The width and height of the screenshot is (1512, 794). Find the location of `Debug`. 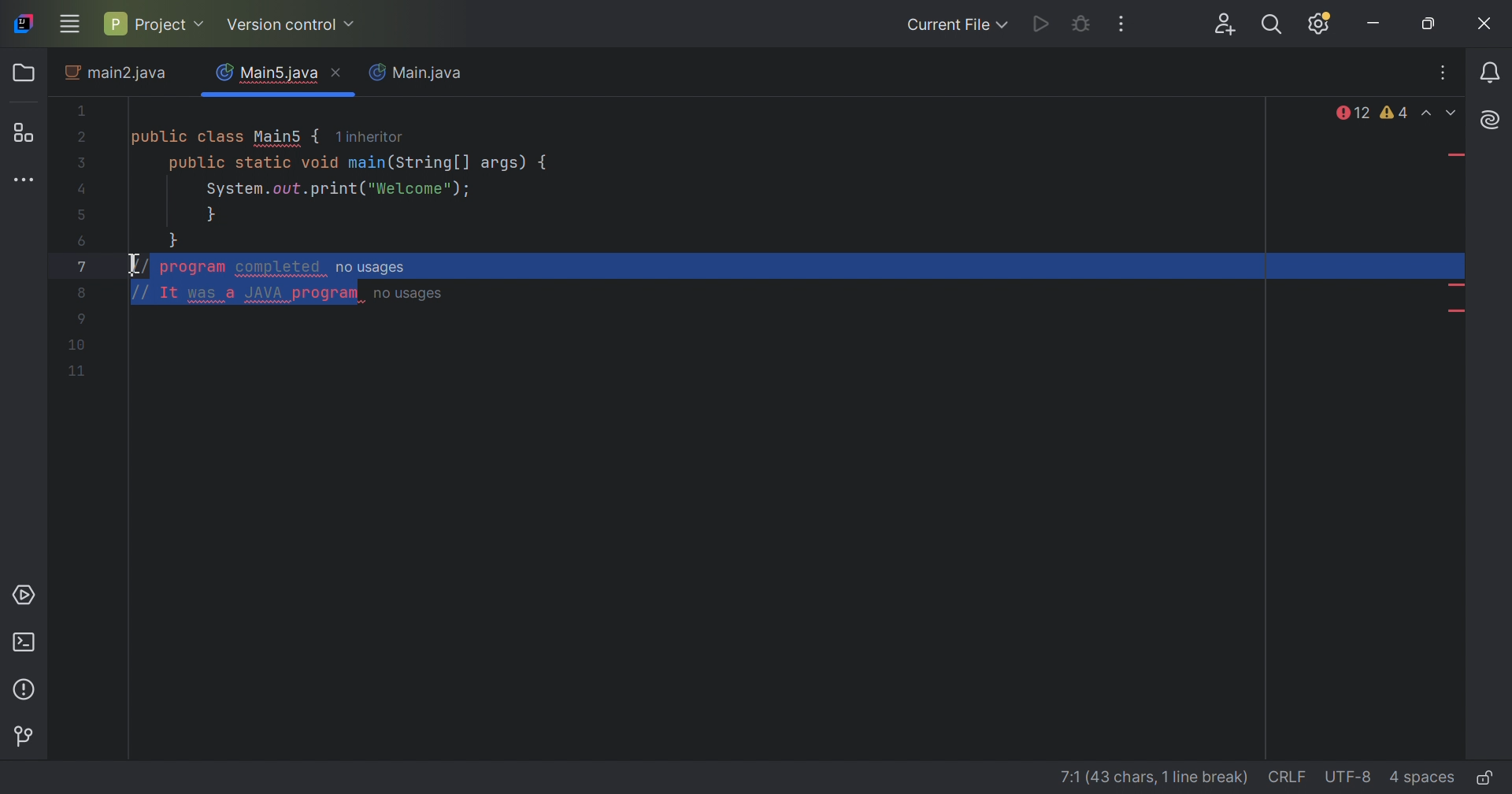

Debug is located at coordinates (1083, 24).